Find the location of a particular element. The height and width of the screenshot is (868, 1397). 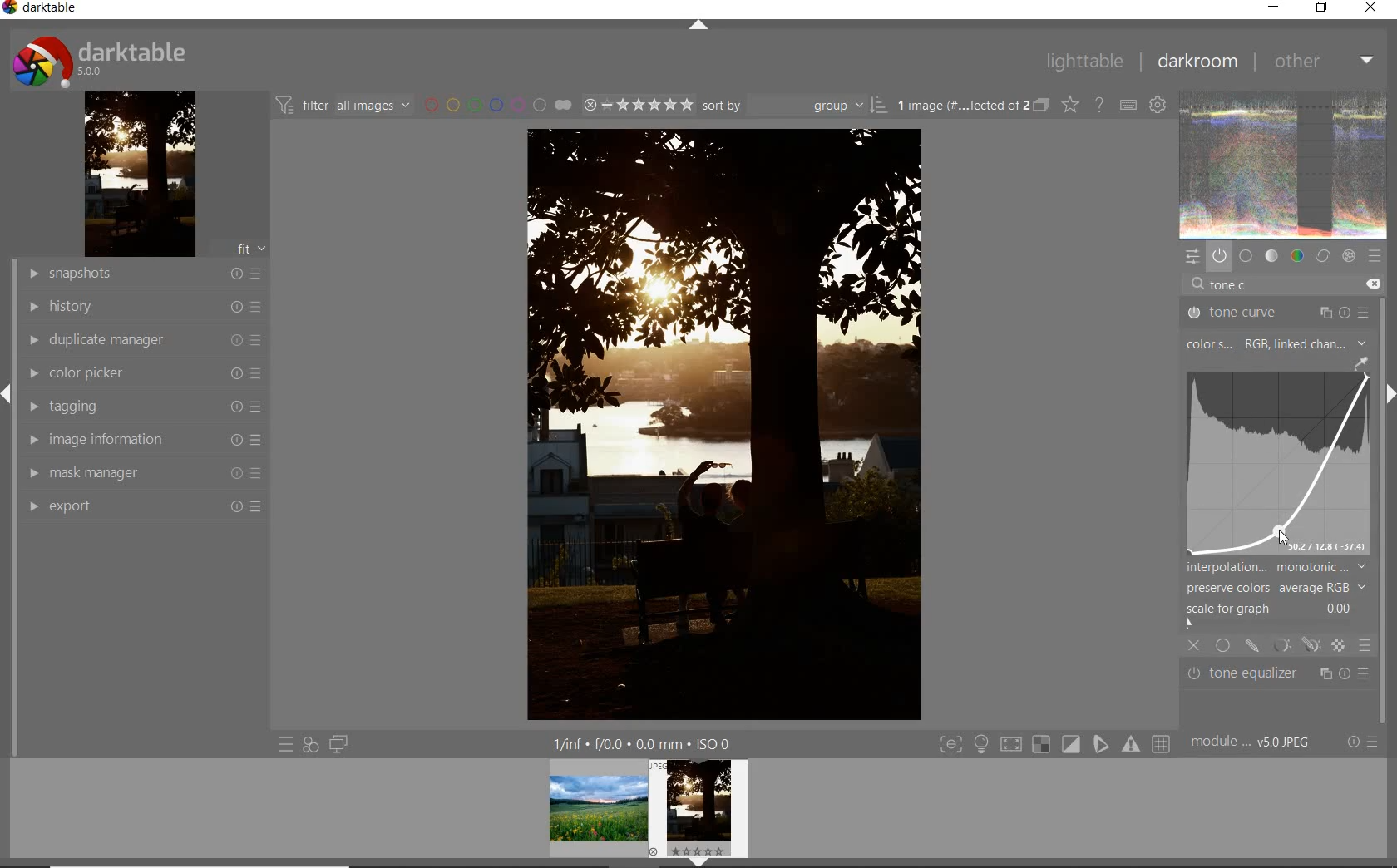

tagging is located at coordinates (141, 405).